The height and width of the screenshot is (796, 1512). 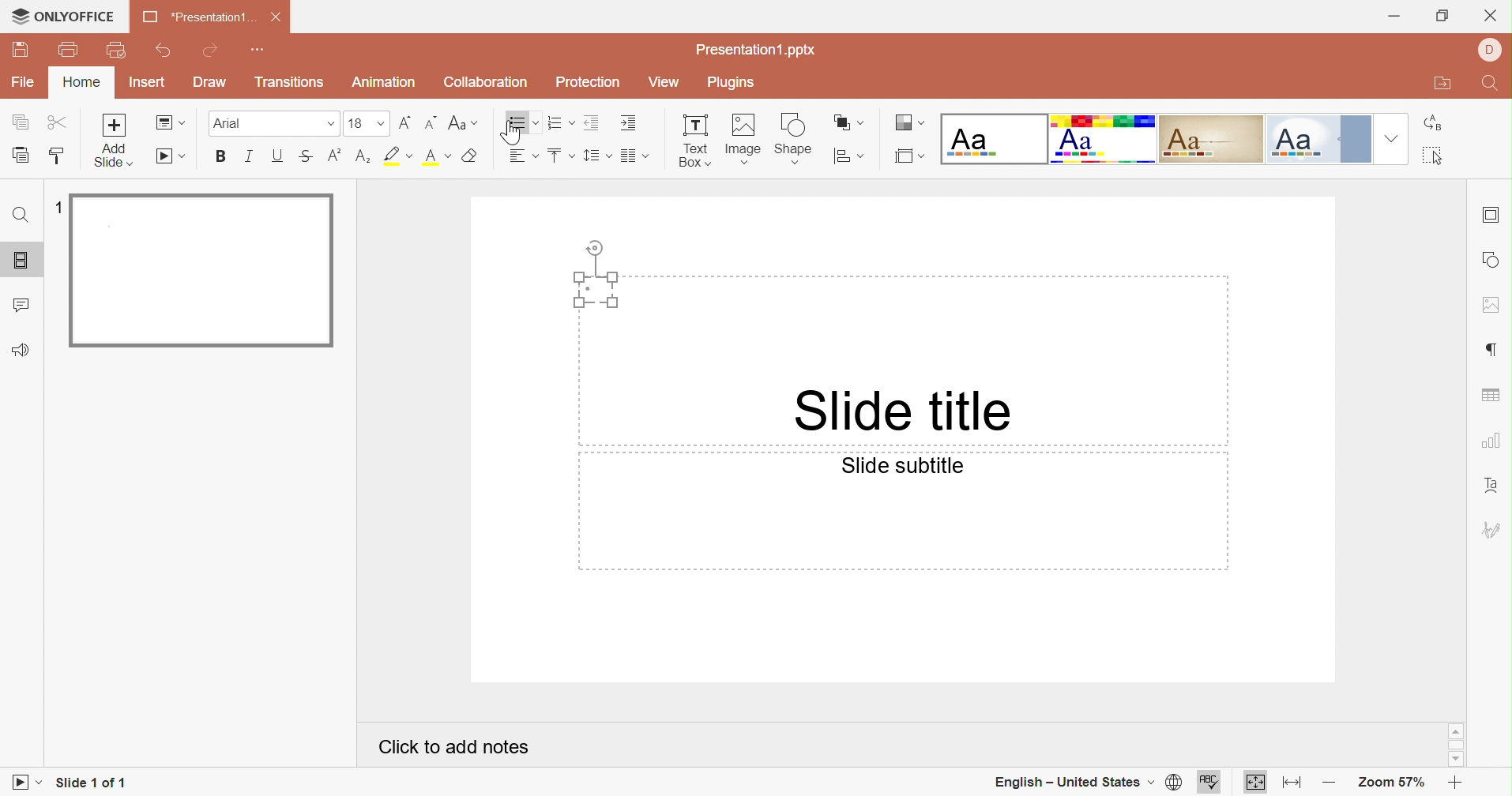 I want to click on Slide 1 of 1, so click(x=93, y=780).